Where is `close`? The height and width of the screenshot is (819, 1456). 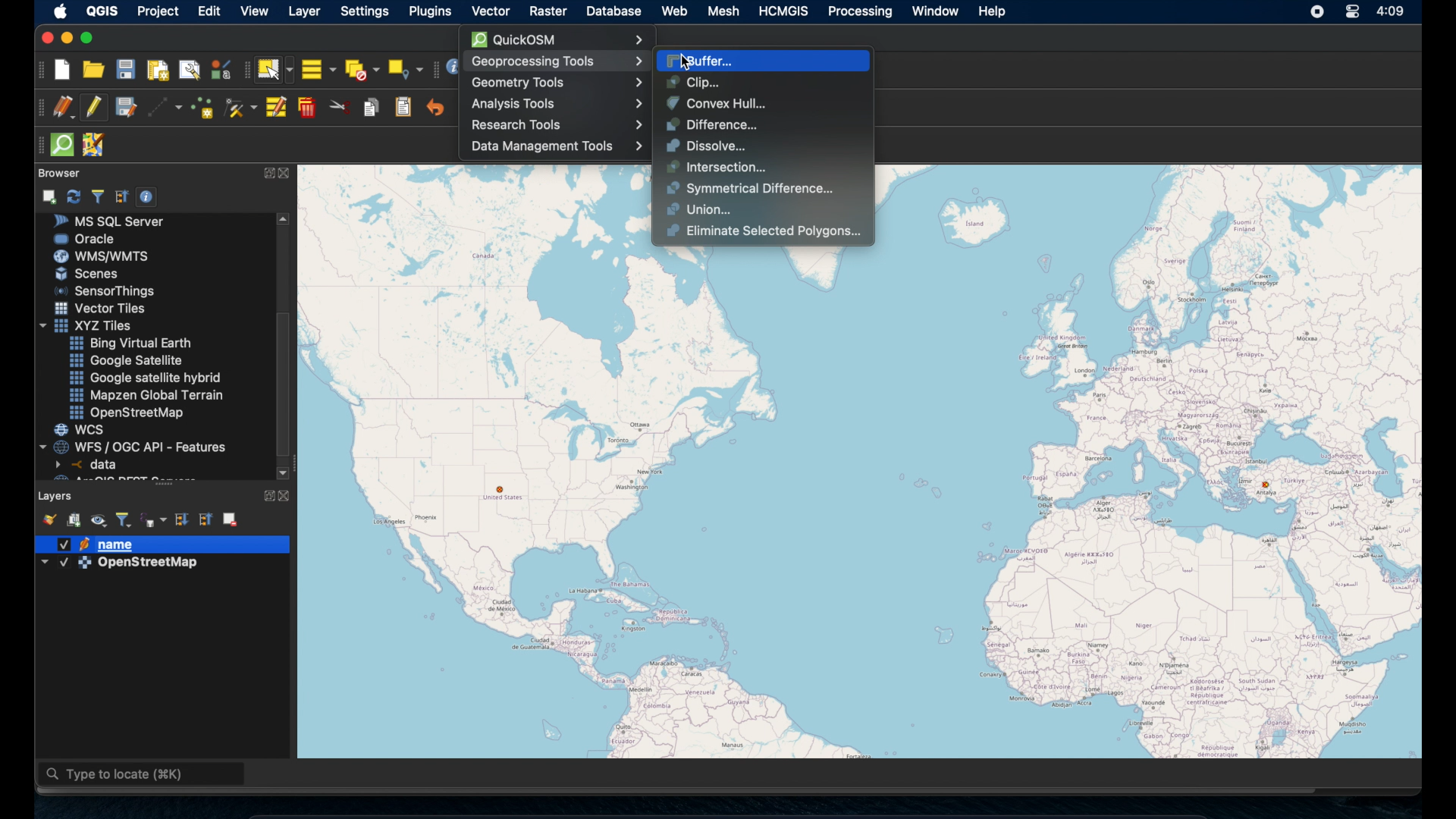 close is located at coordinates (45, 38).